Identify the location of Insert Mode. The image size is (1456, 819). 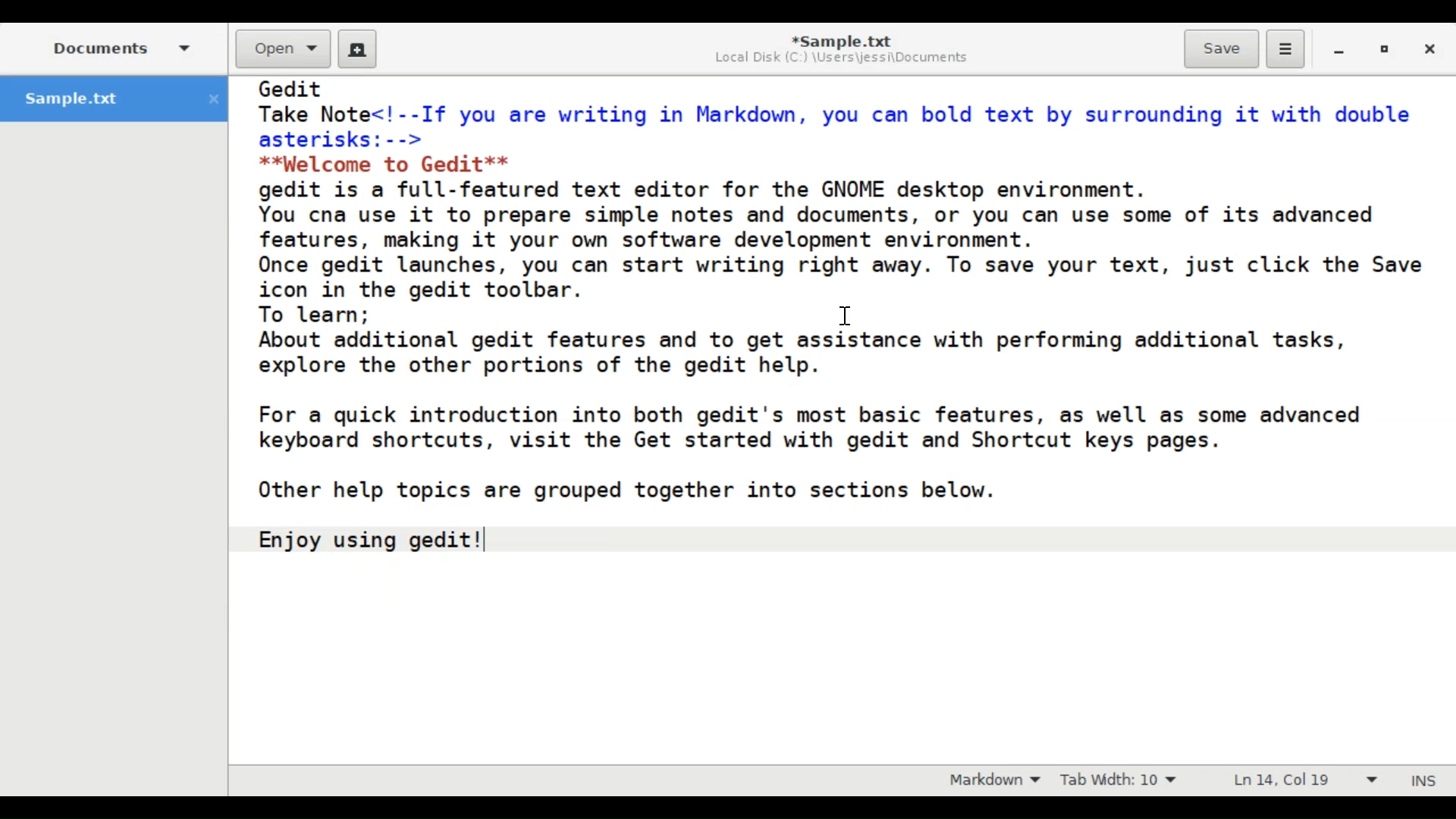
(1421, 780).